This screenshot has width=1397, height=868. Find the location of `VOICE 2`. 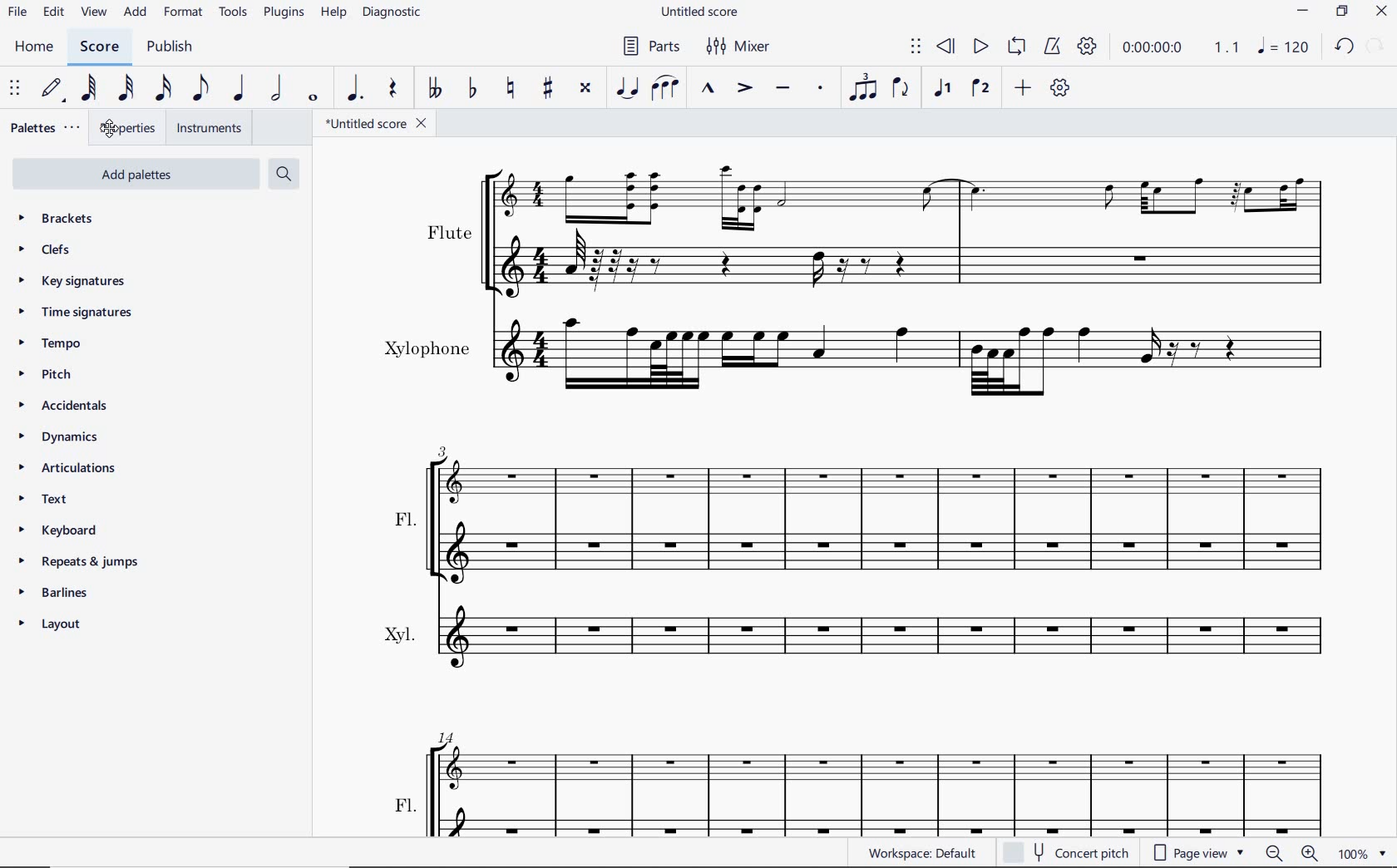

VOICE 2 is located at coordinates (980, 88).